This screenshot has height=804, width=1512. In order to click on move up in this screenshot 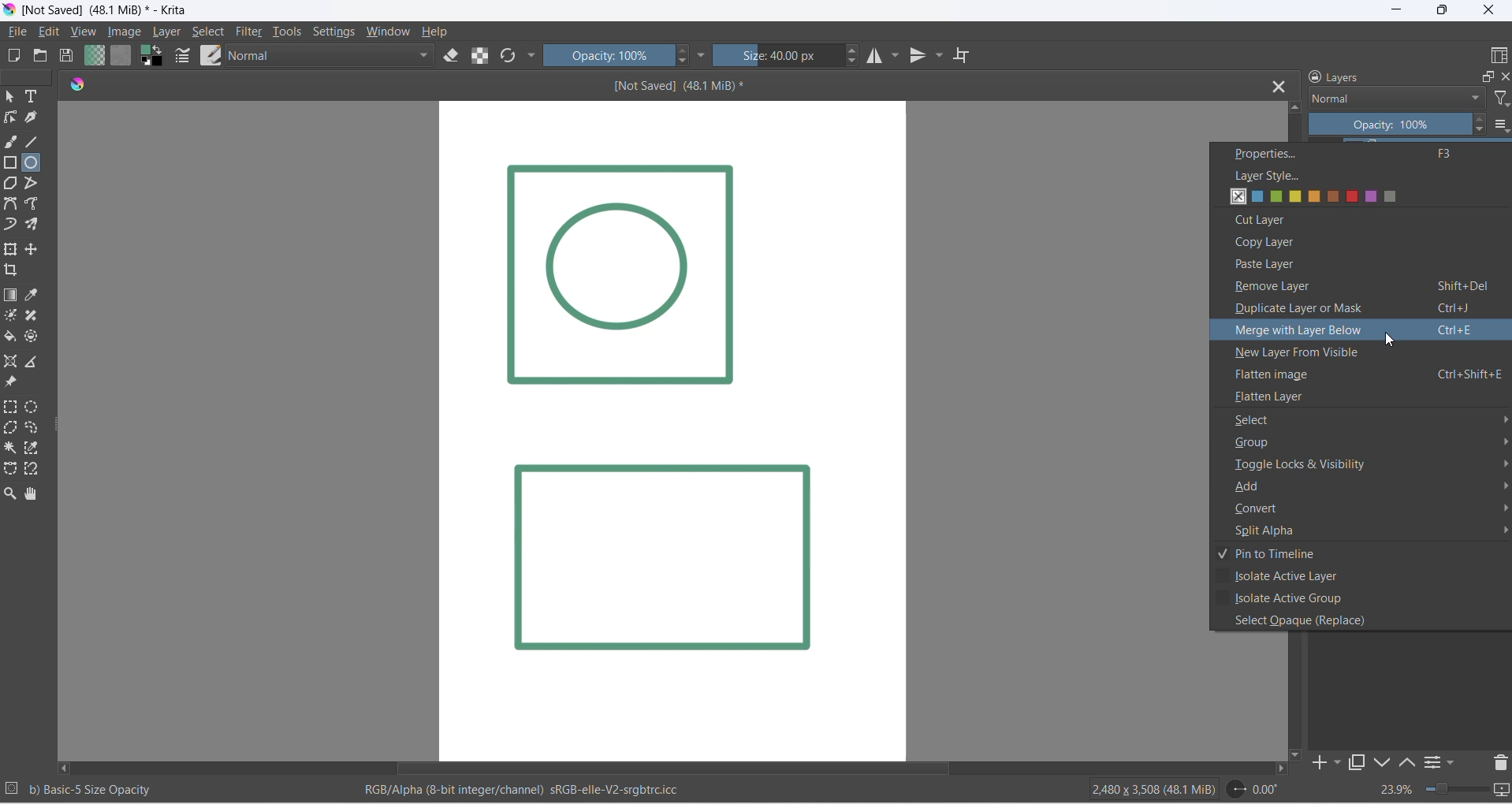, I will do `click(1406, 762)`.